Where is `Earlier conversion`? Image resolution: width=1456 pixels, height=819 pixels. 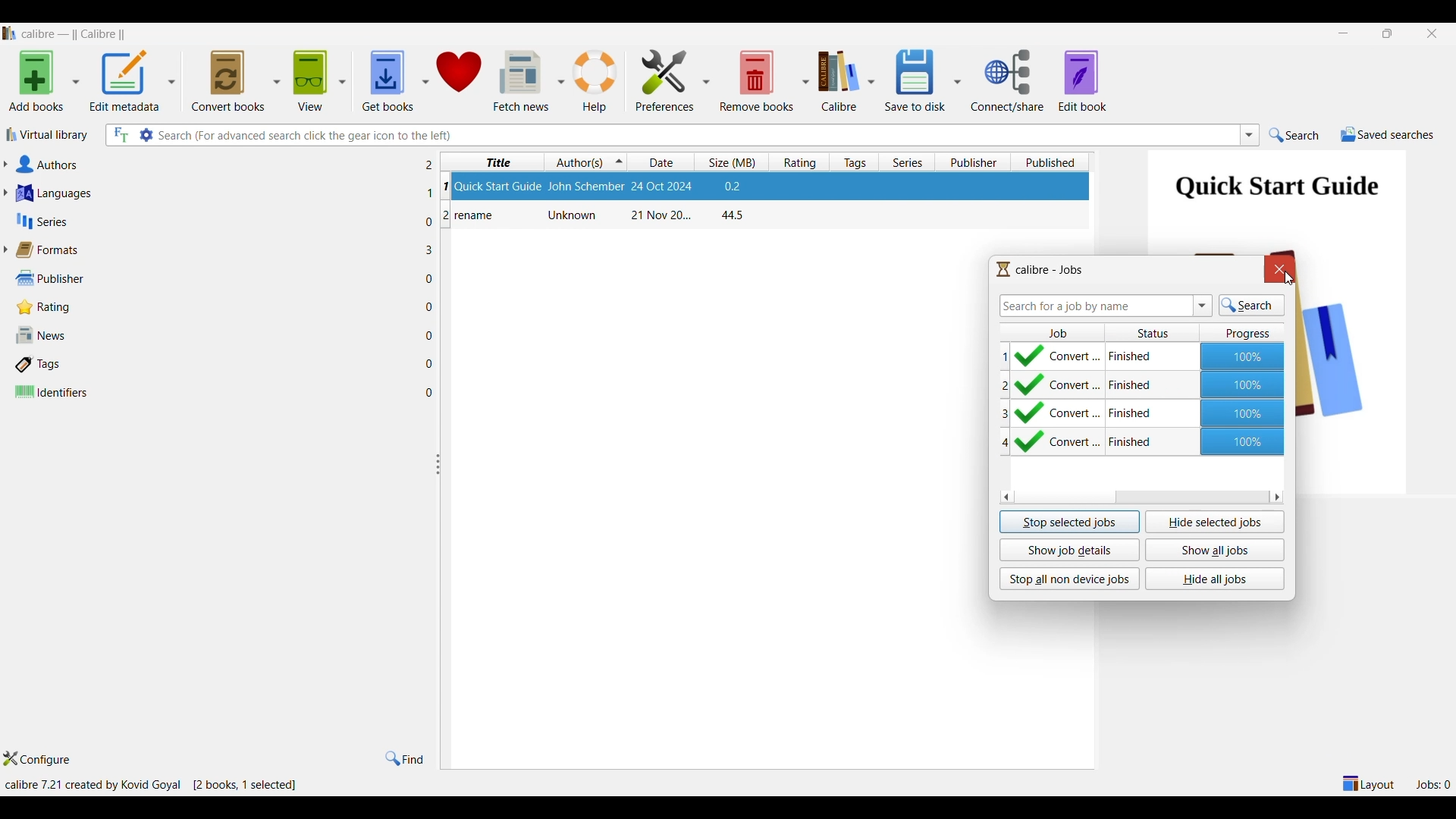
Earlier conversion is located at coordinates (1141, 384).